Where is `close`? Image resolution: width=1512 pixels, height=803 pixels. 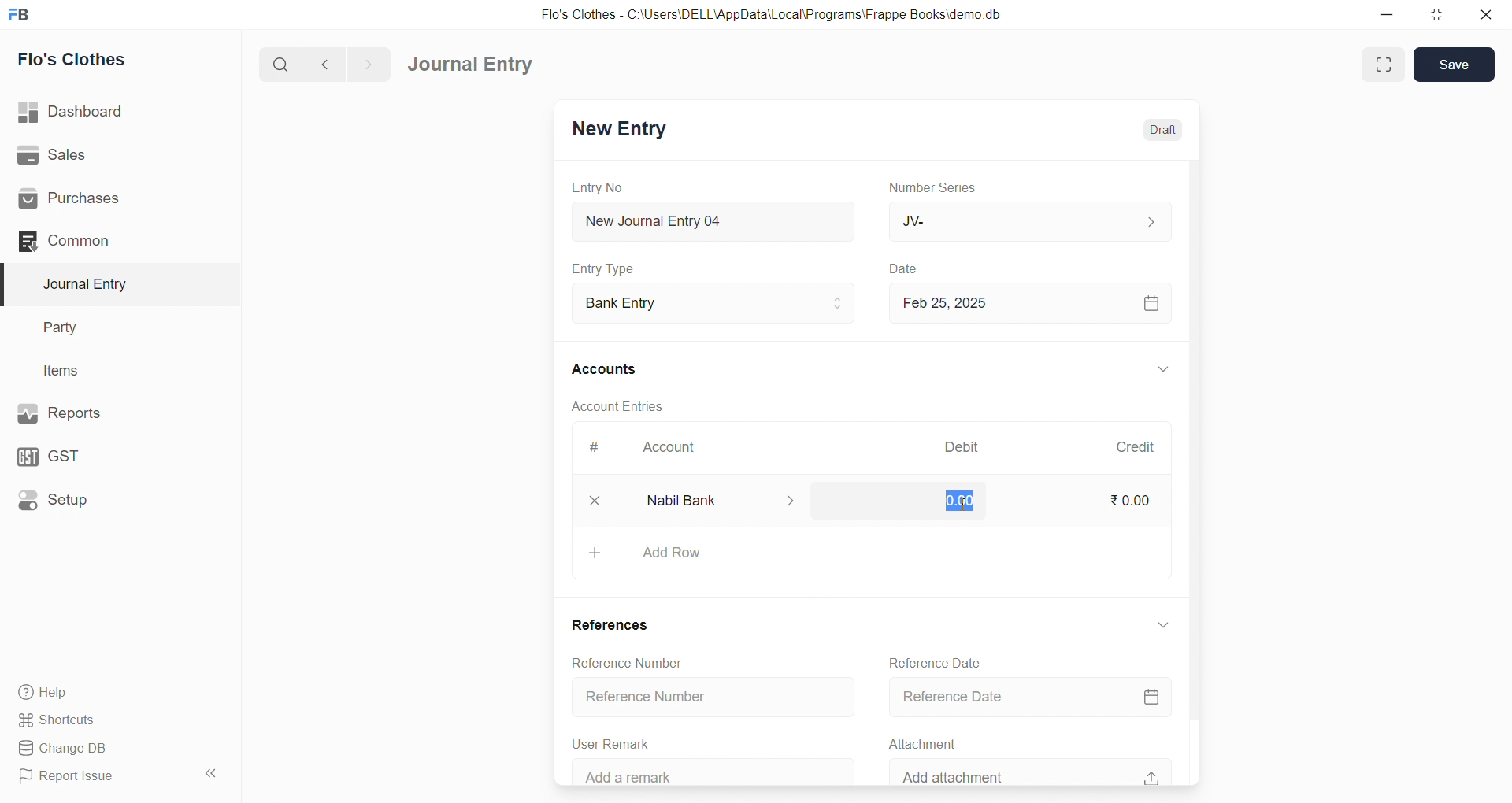 close is located at coordinates (1480, 14).